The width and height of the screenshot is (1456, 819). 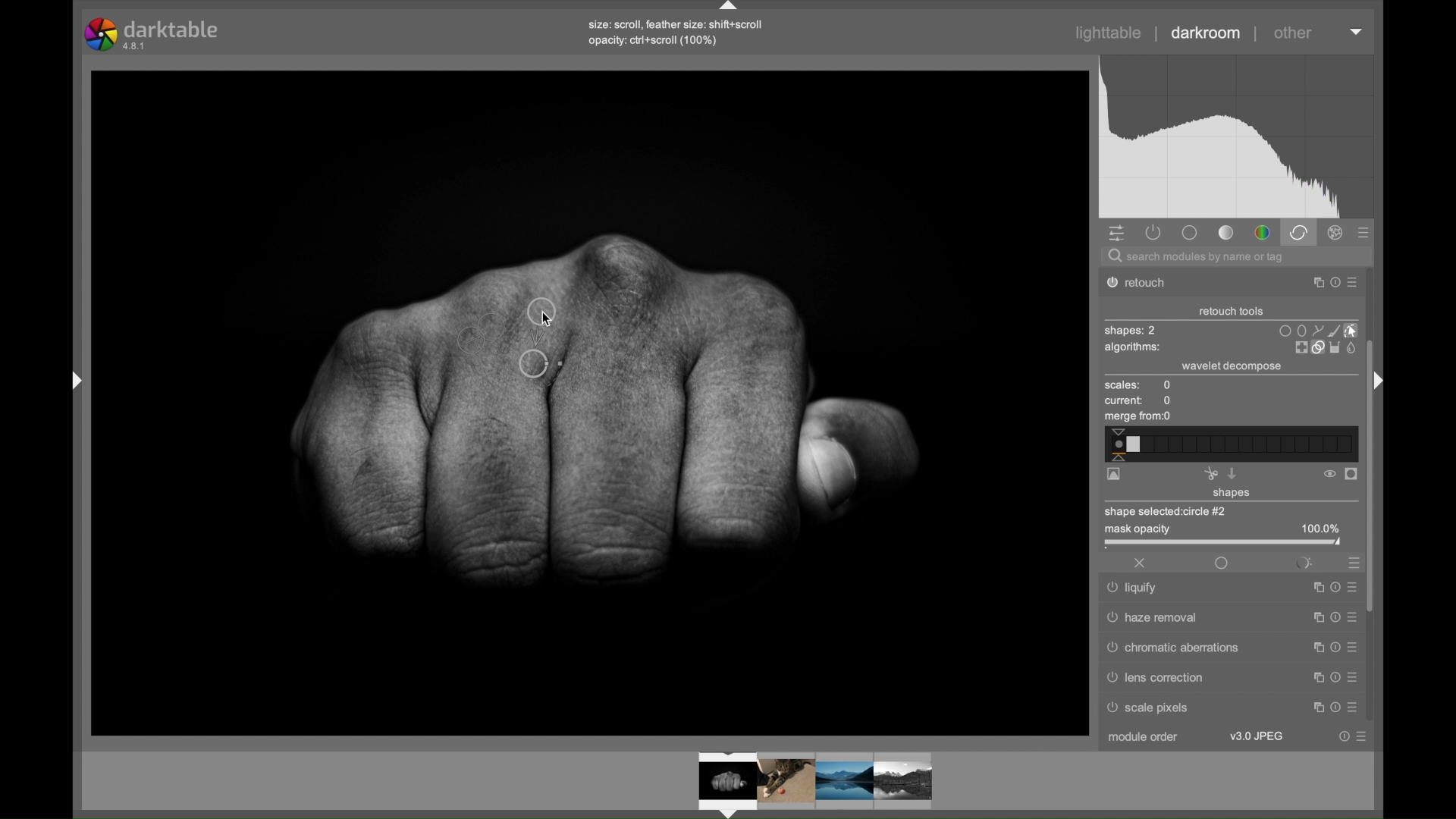 I want to click on scale pixels, so click(x=1153, y=710).